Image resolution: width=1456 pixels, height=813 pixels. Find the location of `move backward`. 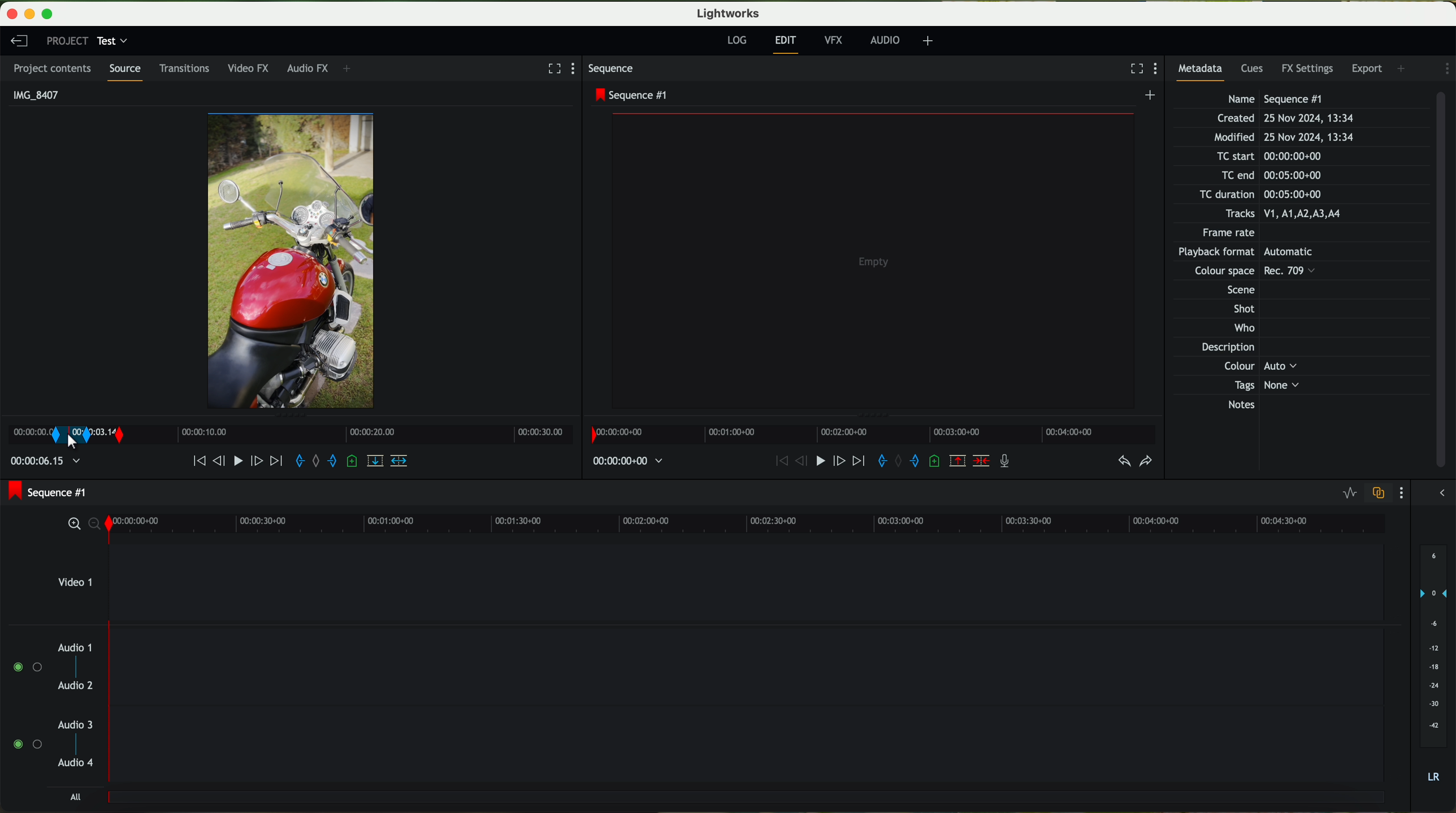

move backward is located at coordinates (193, 461).